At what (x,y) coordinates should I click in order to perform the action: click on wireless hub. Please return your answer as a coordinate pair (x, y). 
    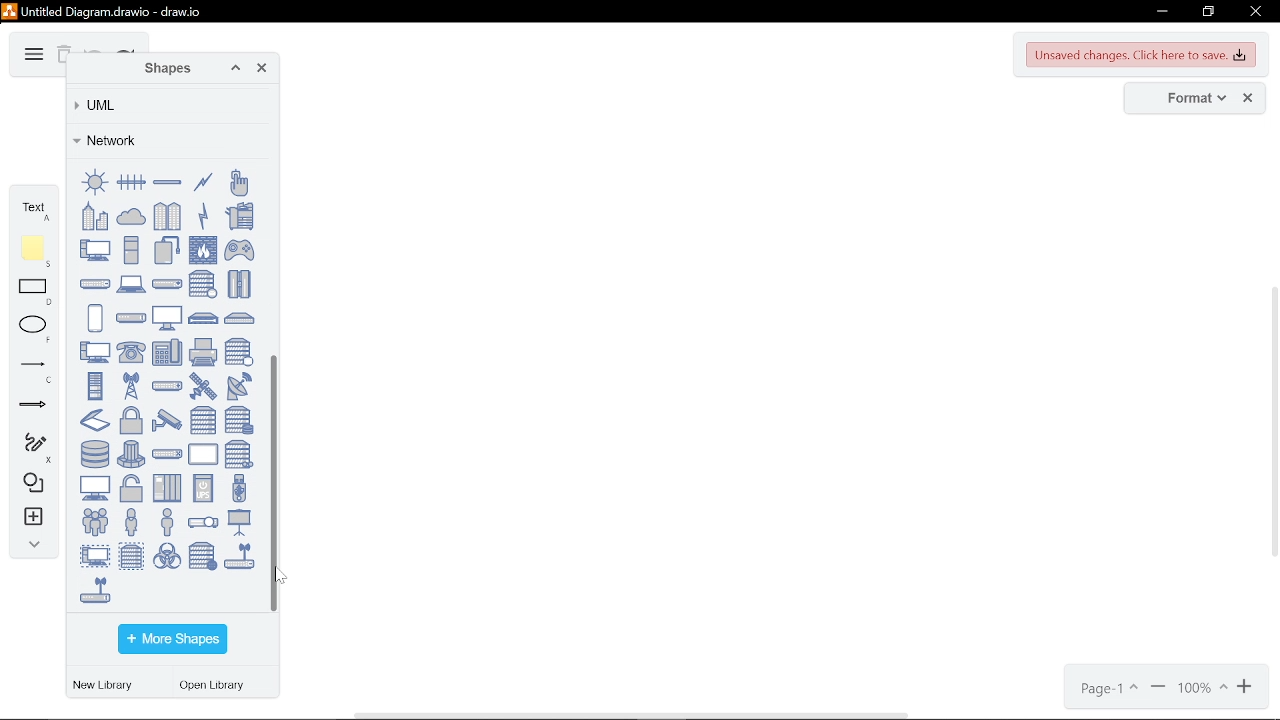
    Looking at the image, I should click on (239, 556).